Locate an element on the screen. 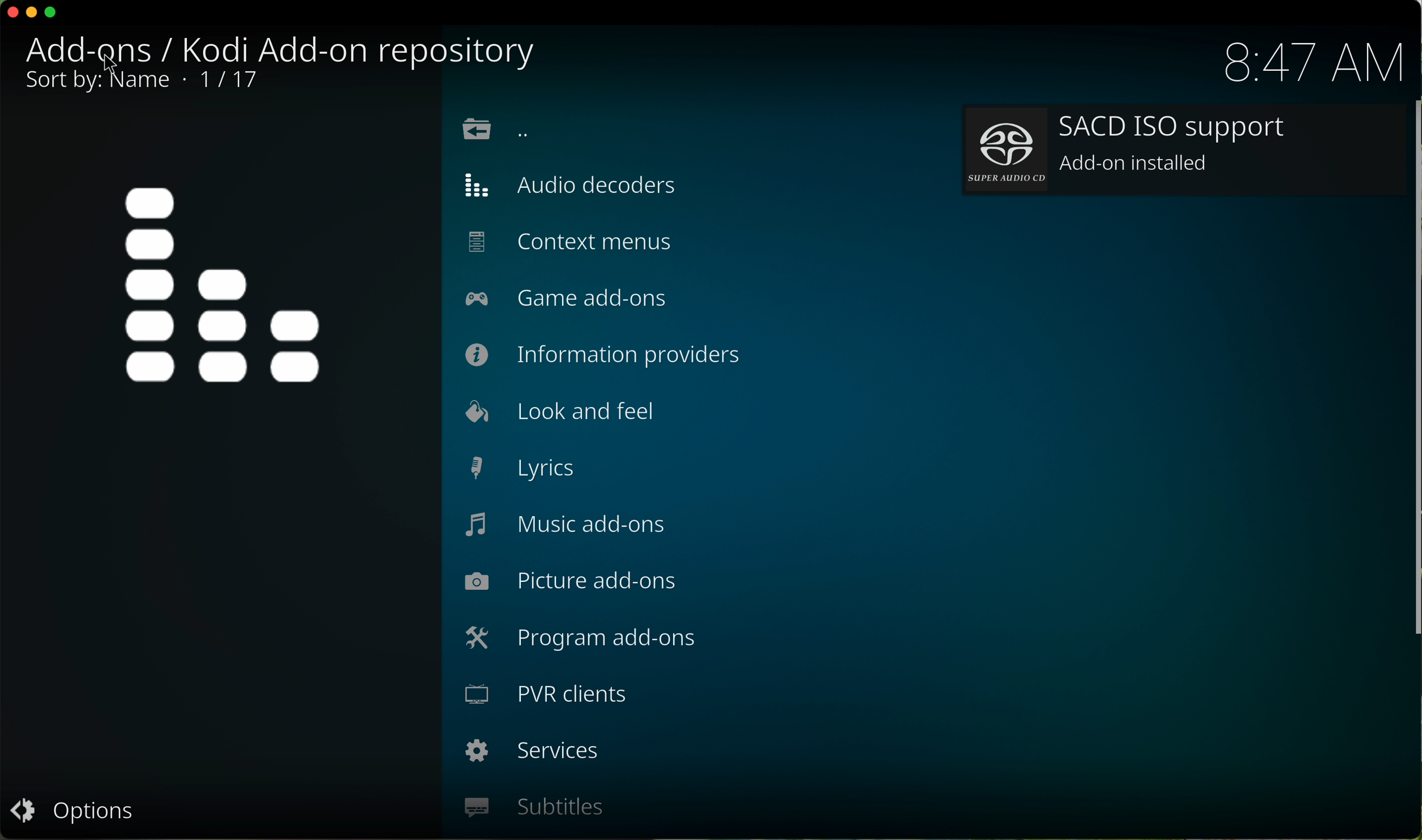  subtitles is located at coordinates (535, 807).